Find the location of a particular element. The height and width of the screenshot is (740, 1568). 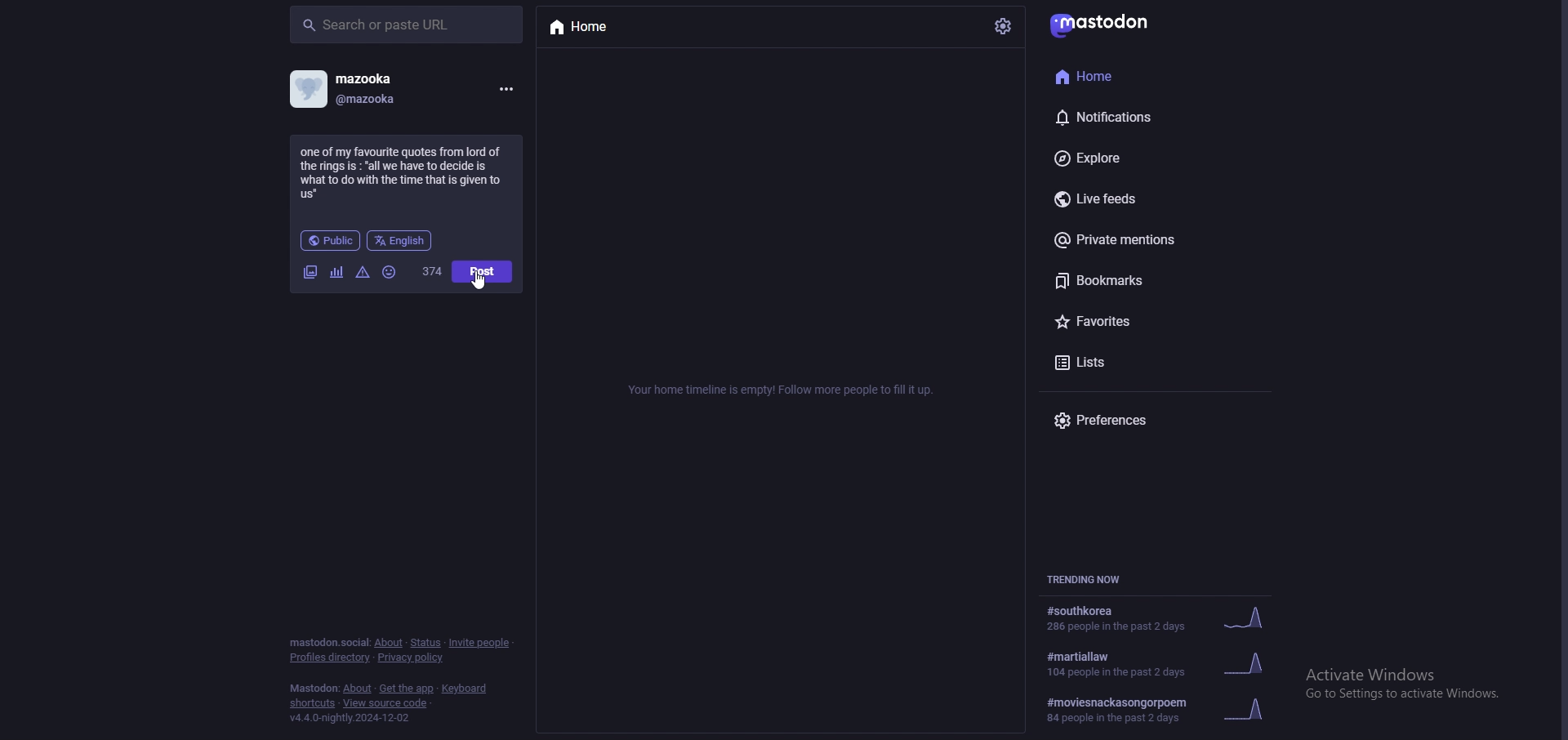

warnings is located at coordinates (363, 273).